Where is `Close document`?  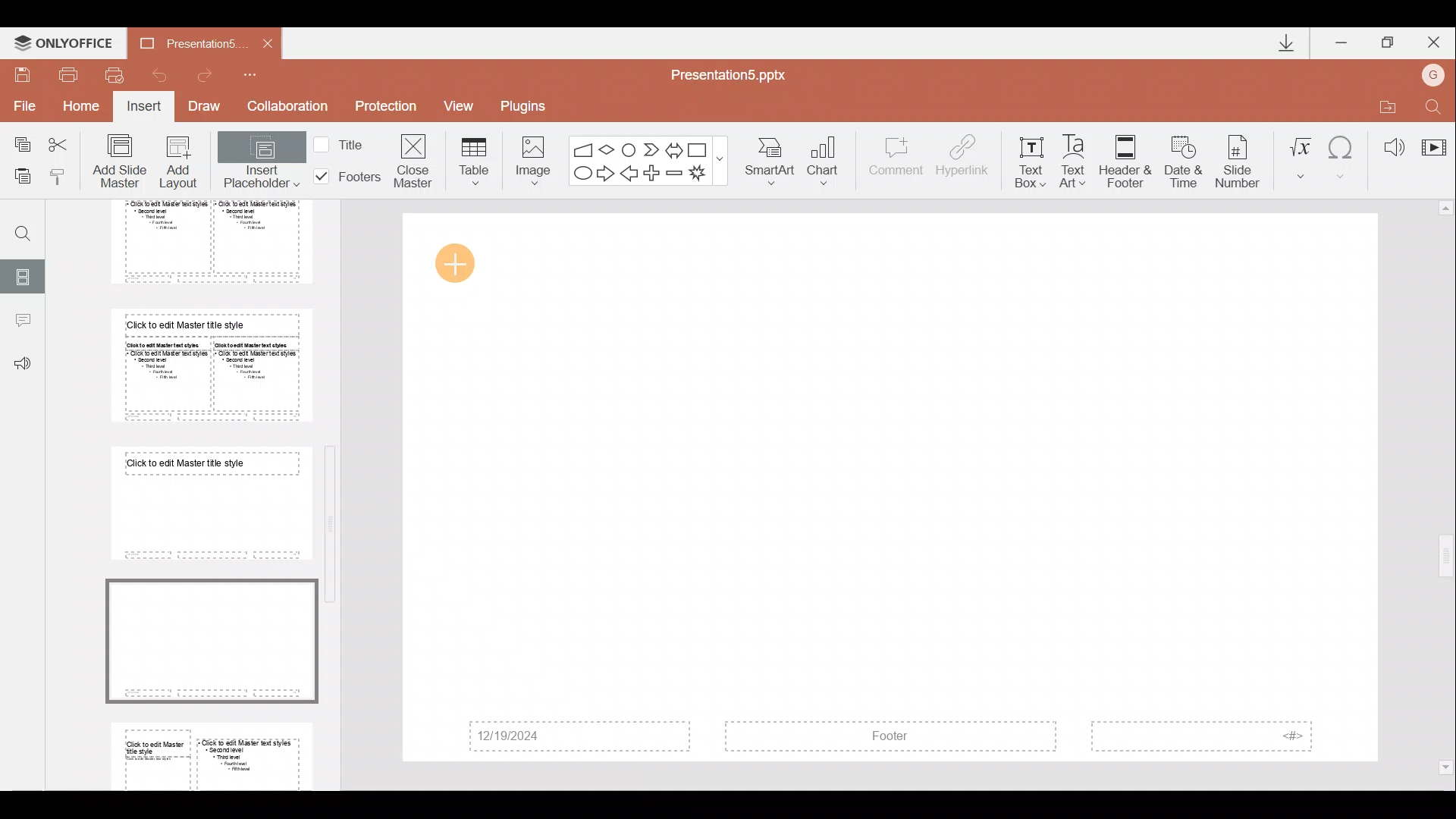
Close document is located at coordinates (263, 42).